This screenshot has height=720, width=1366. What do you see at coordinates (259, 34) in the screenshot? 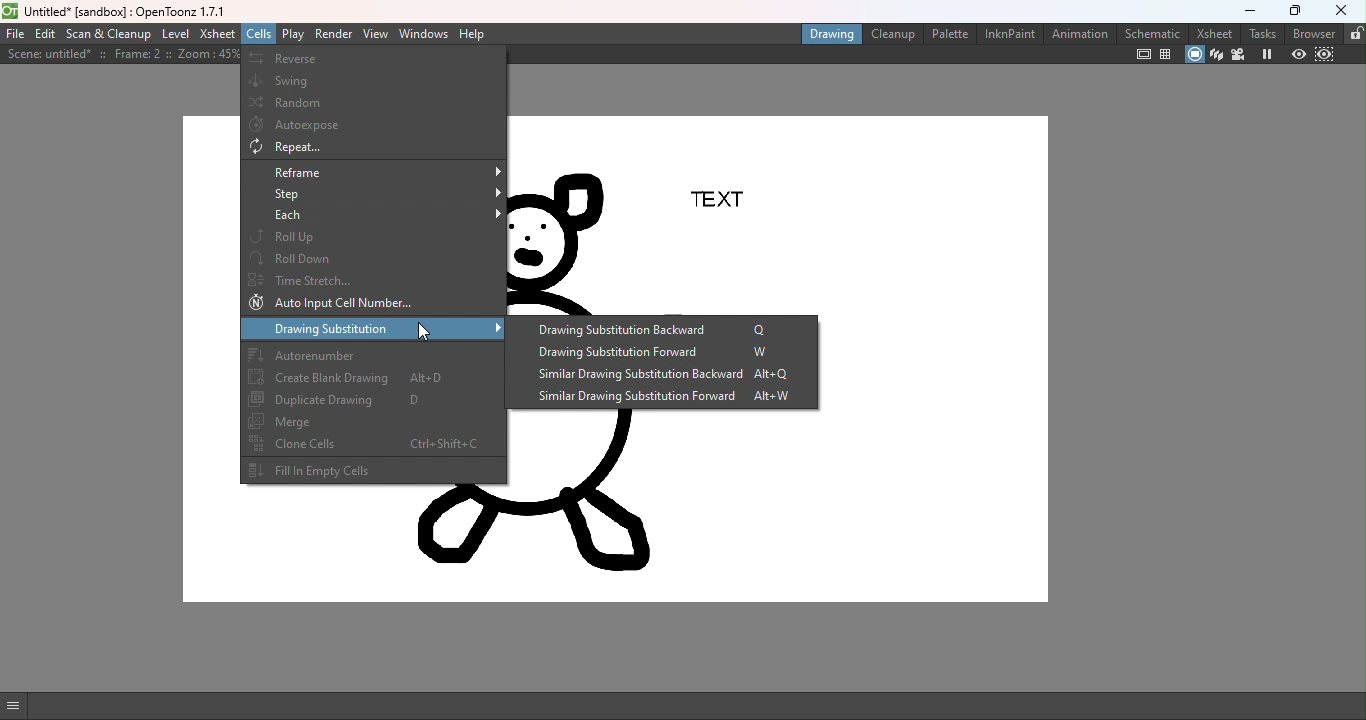
I see `Cells` at bounding box center [259, 34].